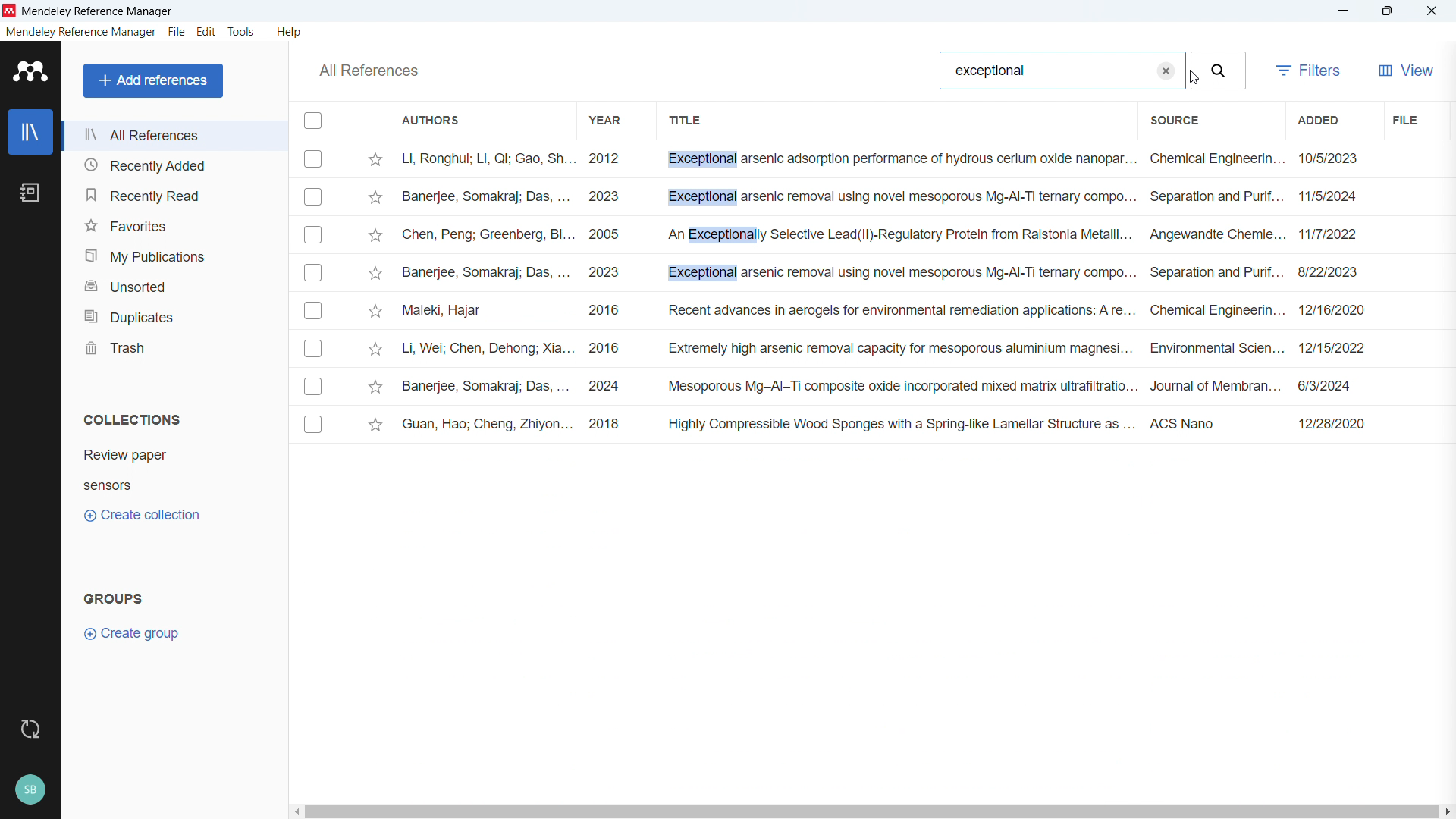 The width and height of the screenshot is (1456, 819). Describe the element at coordinates (1166, 71) in the screenshot. I see `Remove search string` at that location.